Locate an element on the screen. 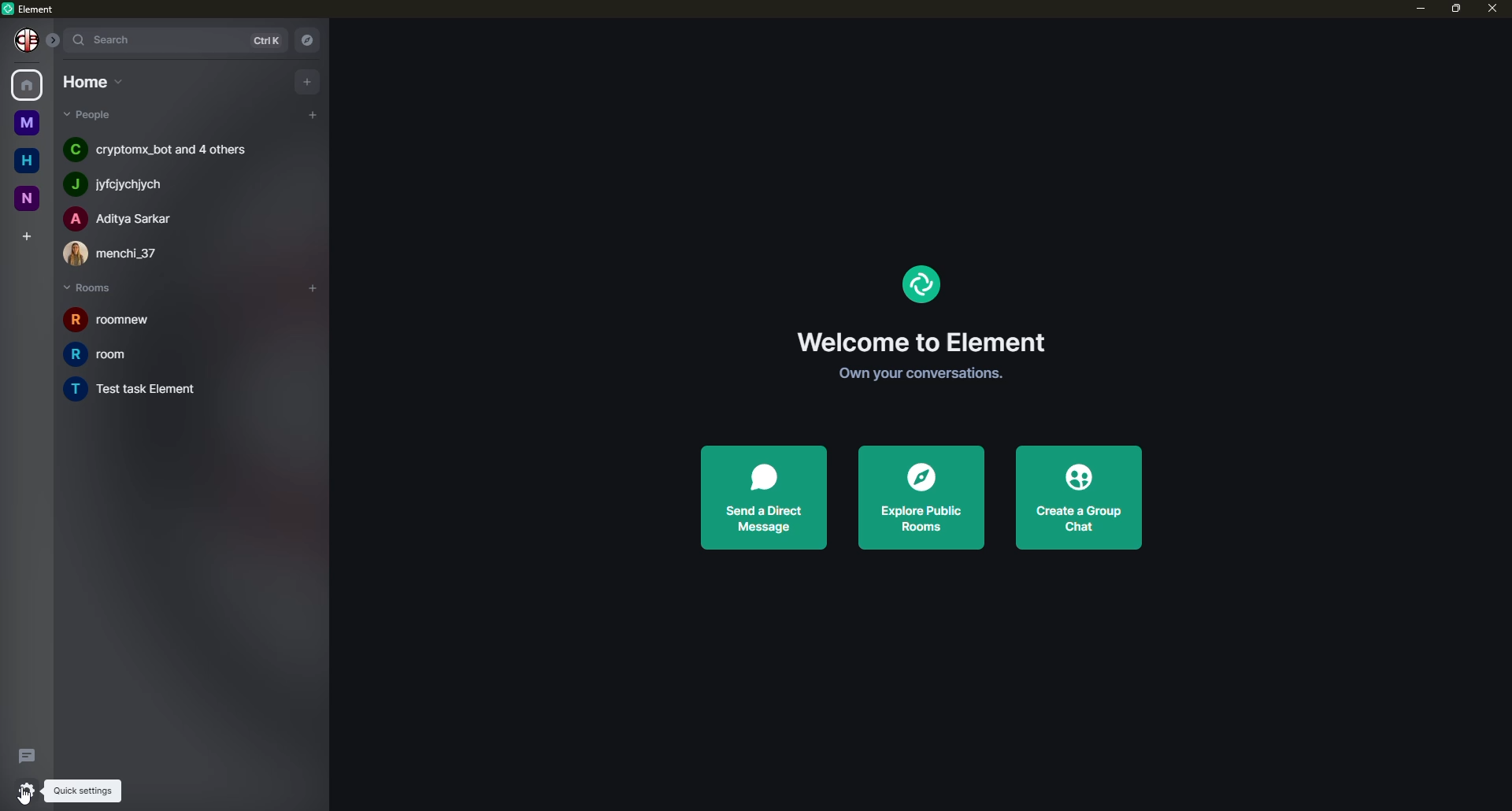  navigator is located at coordinates (306, 38).